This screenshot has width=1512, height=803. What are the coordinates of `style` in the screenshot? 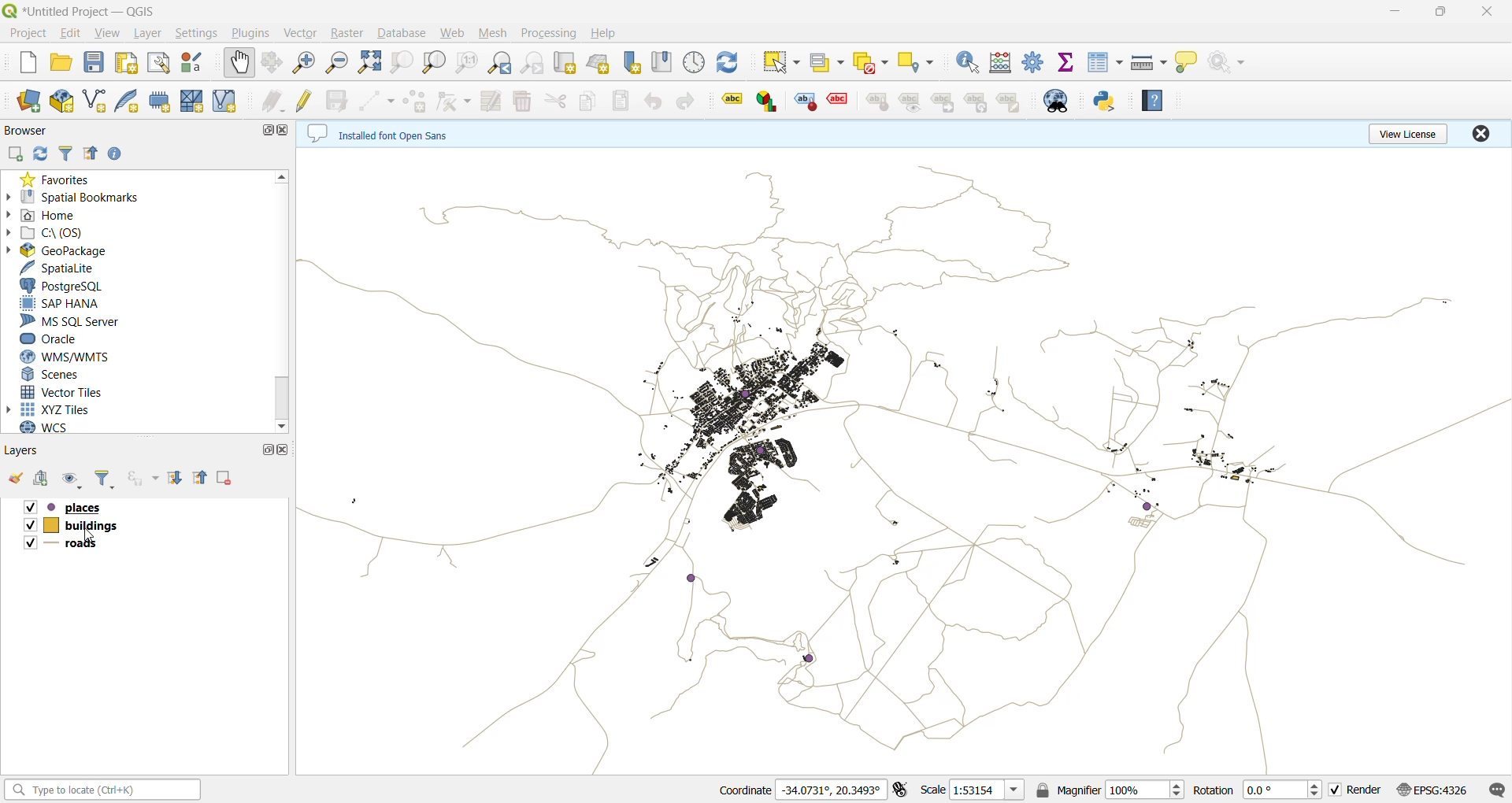 It's located at (806, 102).